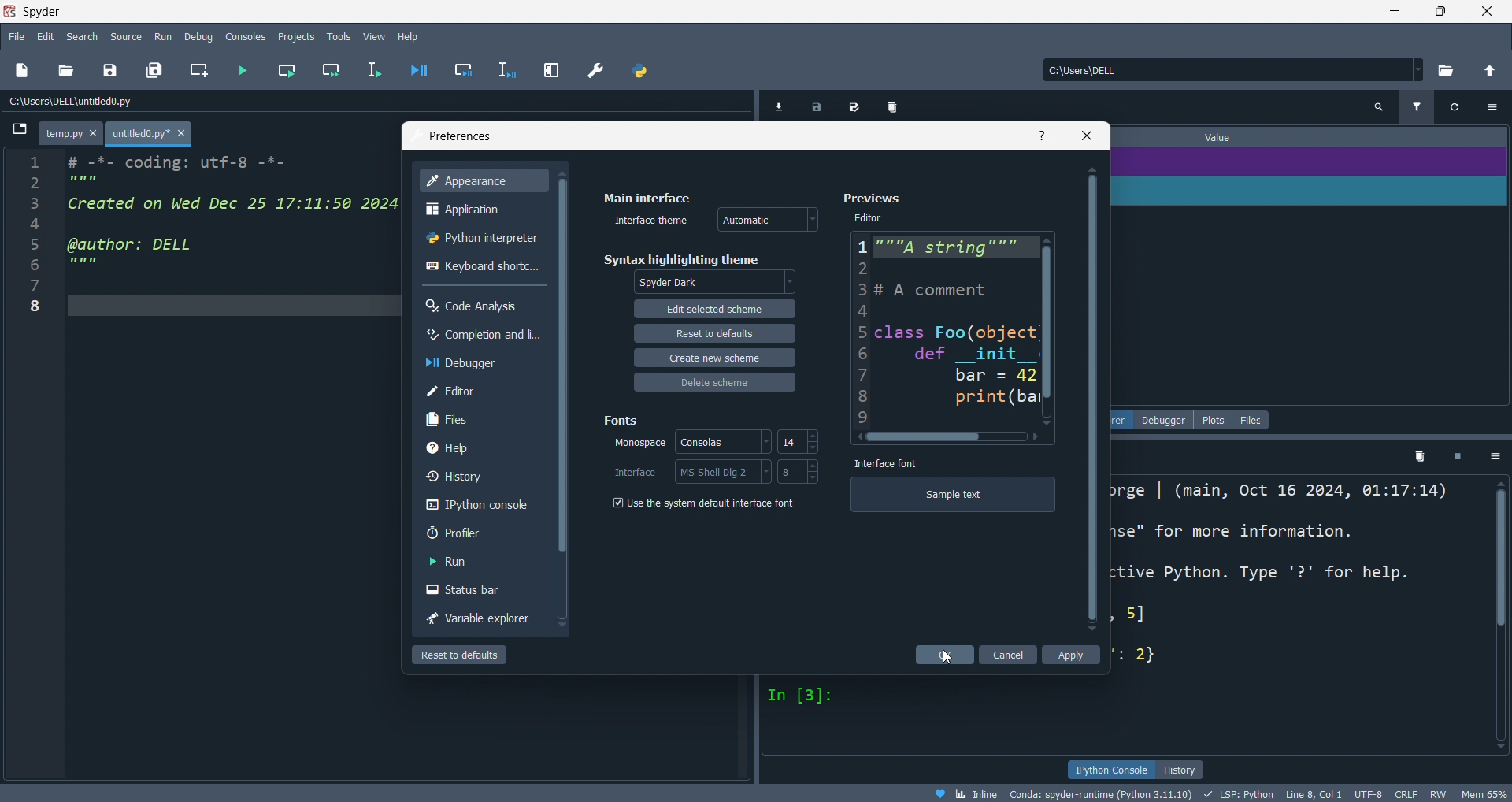 Image resolution: width=1512 pixels, height=802 pixels. I want to click on scroll bar, so click(1091, 402).